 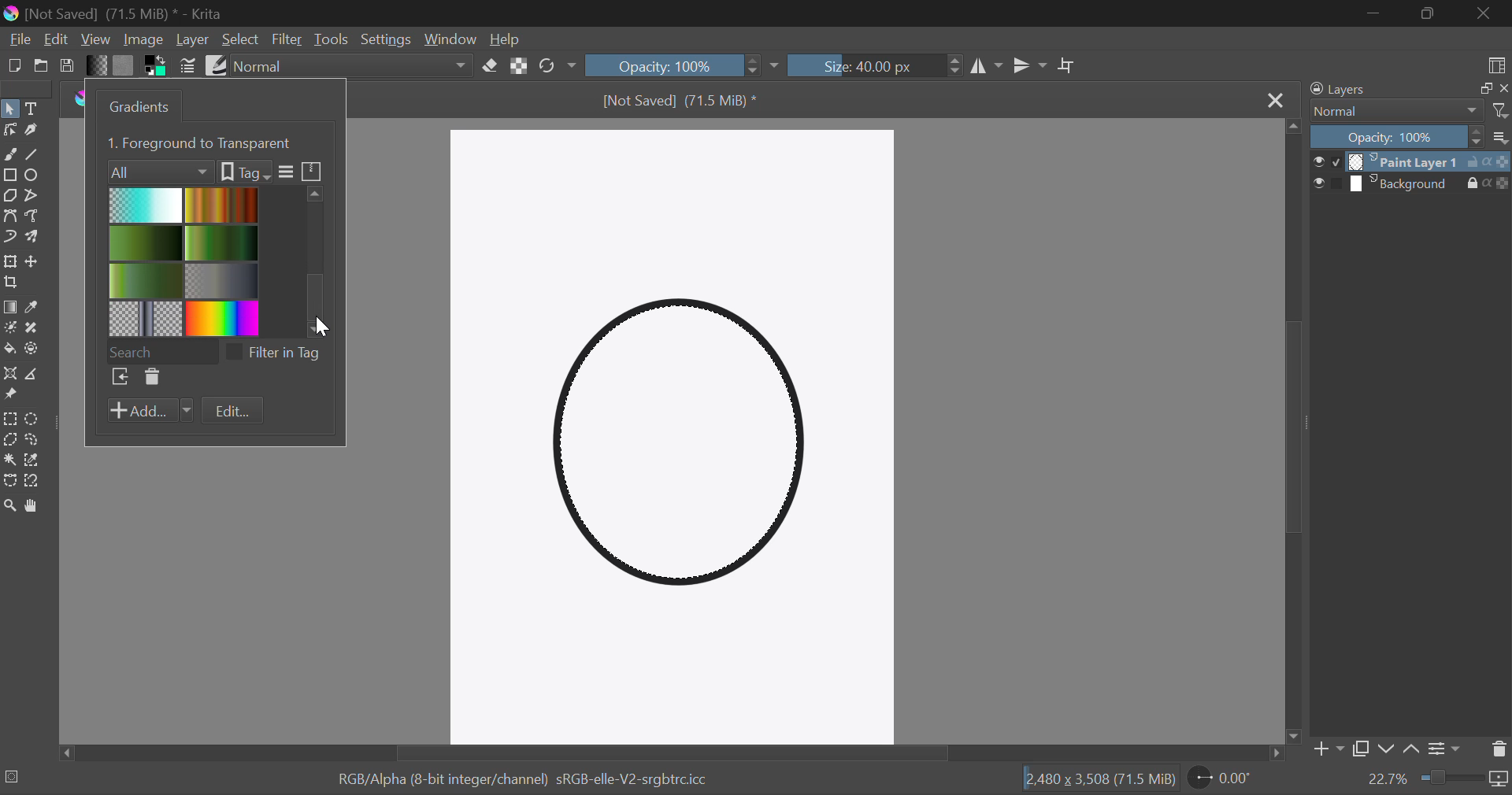 I want to click on Layer, so click(x=193, y=40).